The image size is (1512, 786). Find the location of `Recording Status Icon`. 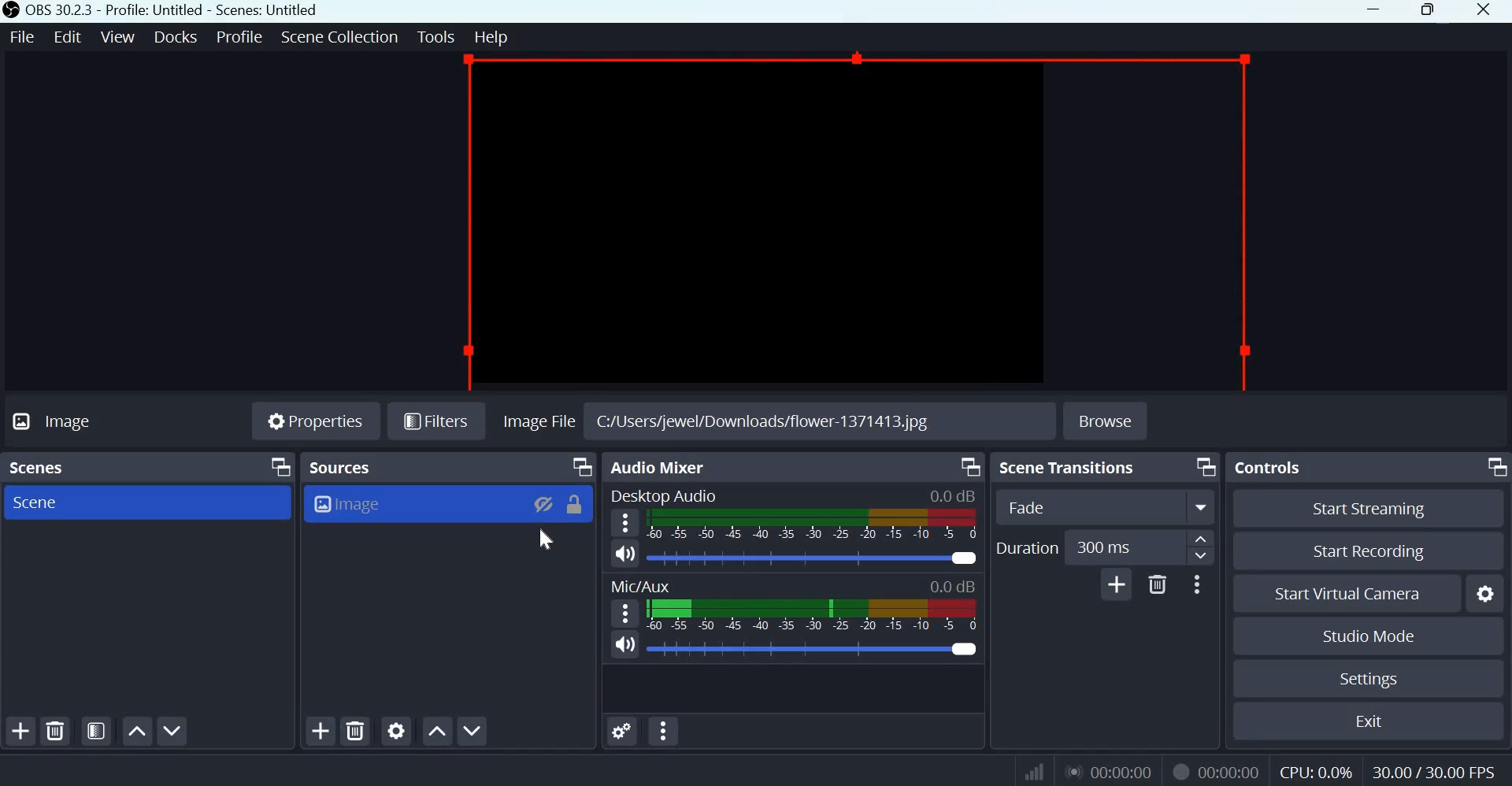

Recording Status Icon is located at coordinates (1180, 771).